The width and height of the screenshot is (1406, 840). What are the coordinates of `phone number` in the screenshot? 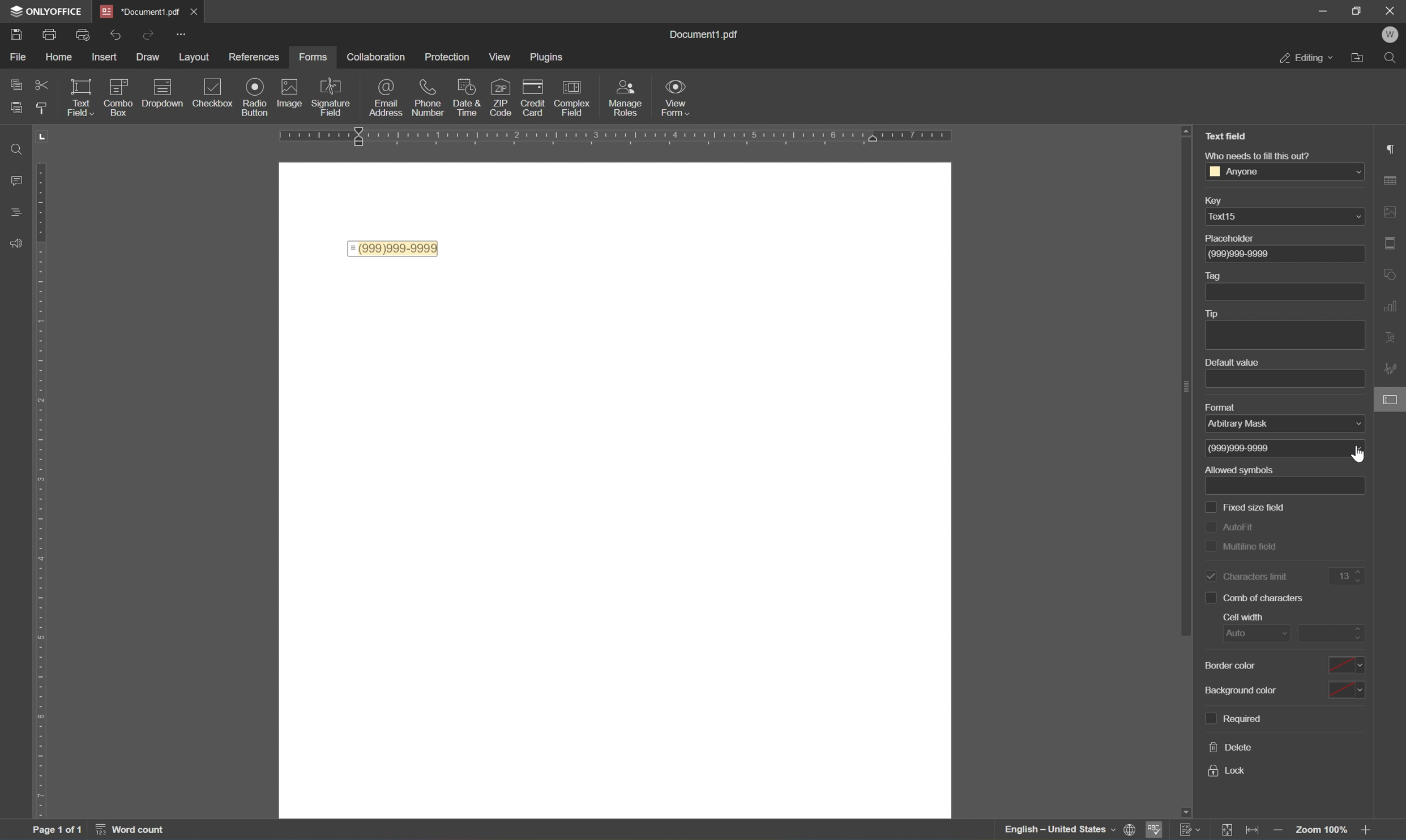 It's located at (430, 98).